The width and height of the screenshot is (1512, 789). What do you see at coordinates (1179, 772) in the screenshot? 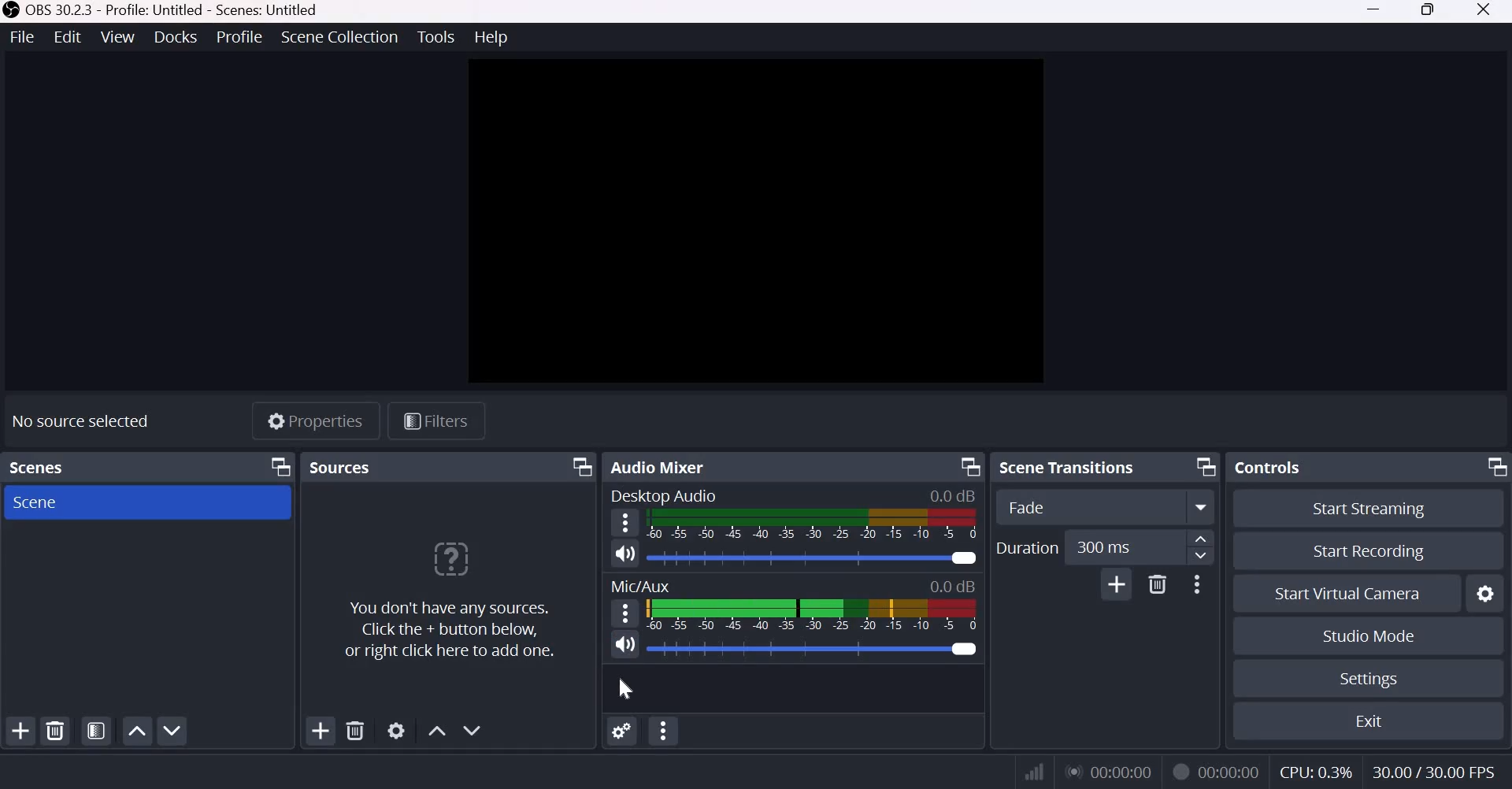
I see `Recording Status Icon` at bounding box center [1179, 772].